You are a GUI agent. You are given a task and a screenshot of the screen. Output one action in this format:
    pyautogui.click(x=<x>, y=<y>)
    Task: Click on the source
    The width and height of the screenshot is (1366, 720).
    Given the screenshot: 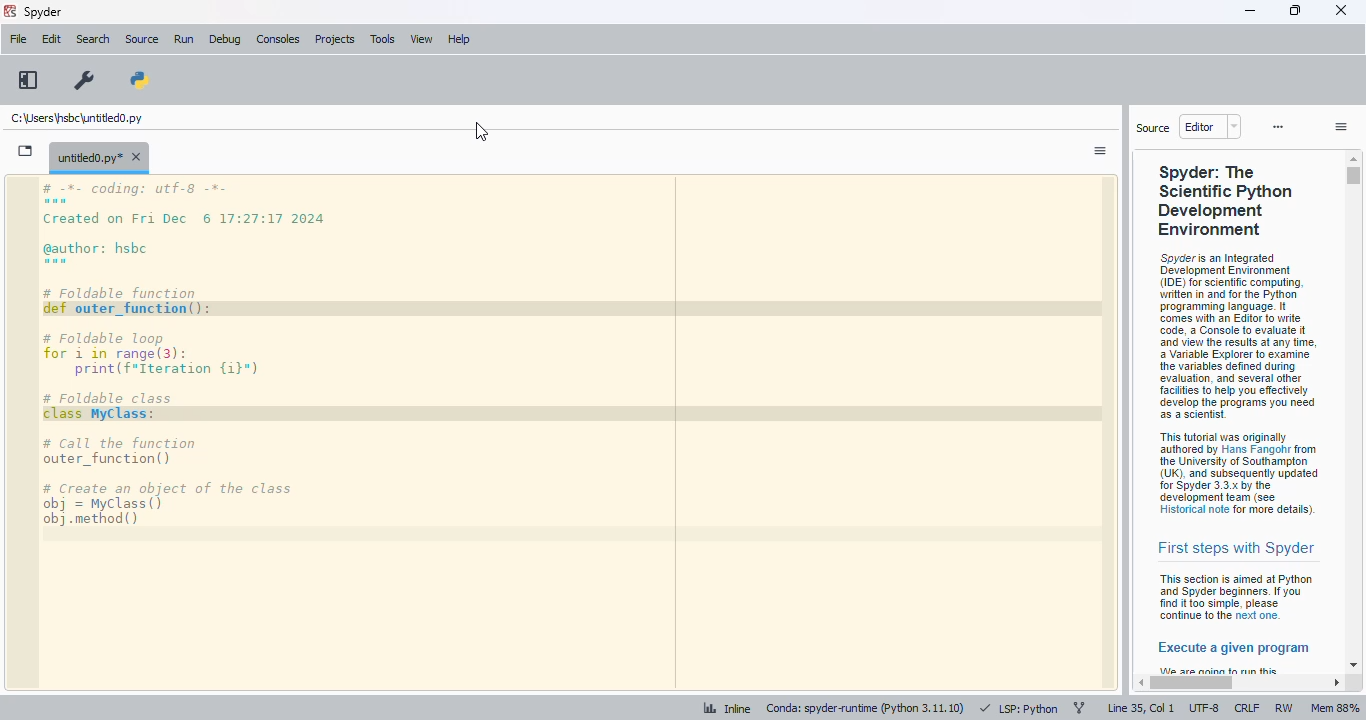 What is the action you would take?
    pyautogui.click(x=1153, y=127)
    